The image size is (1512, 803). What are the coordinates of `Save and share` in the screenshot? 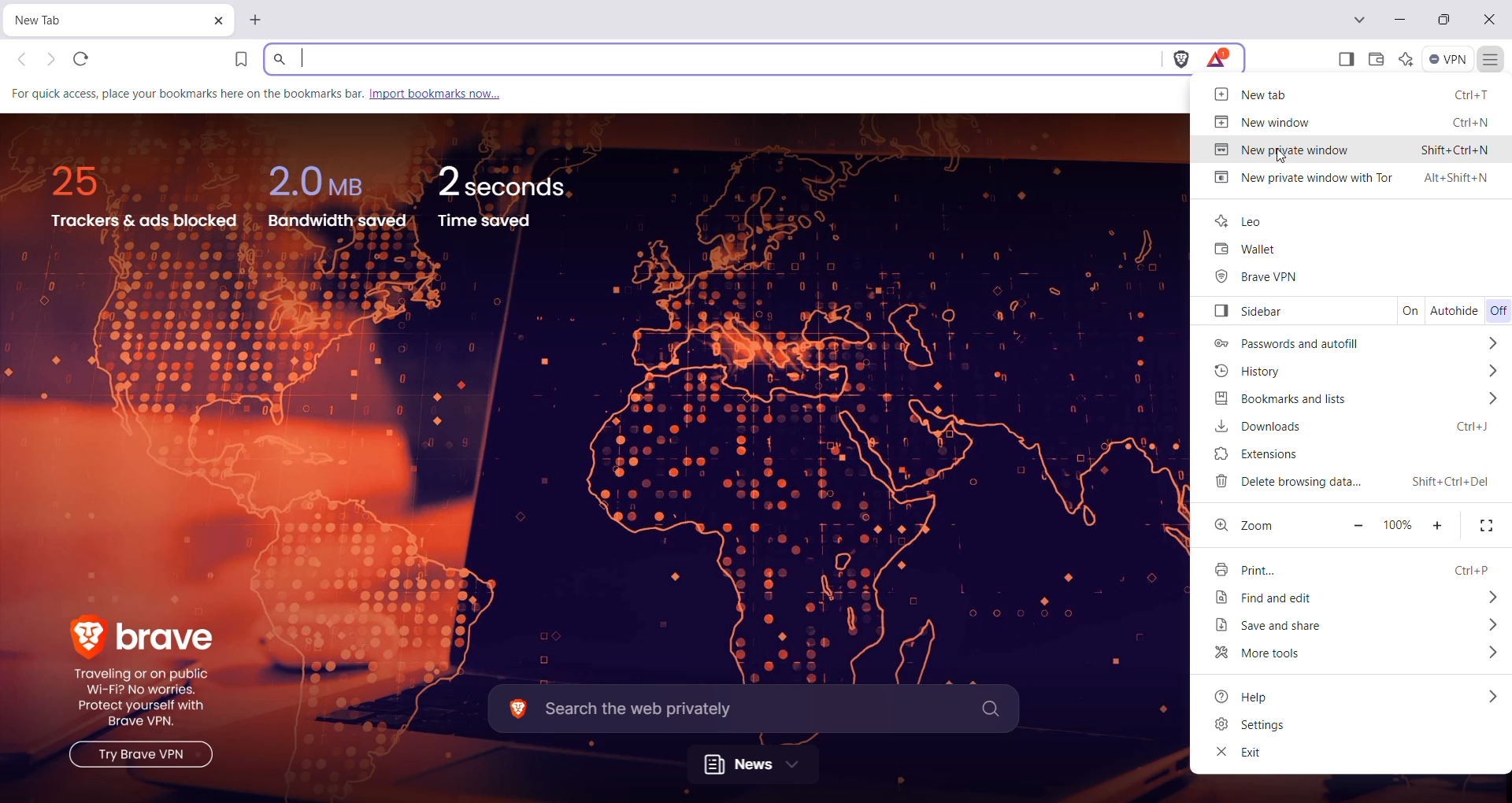 It's located at (1288, 626).